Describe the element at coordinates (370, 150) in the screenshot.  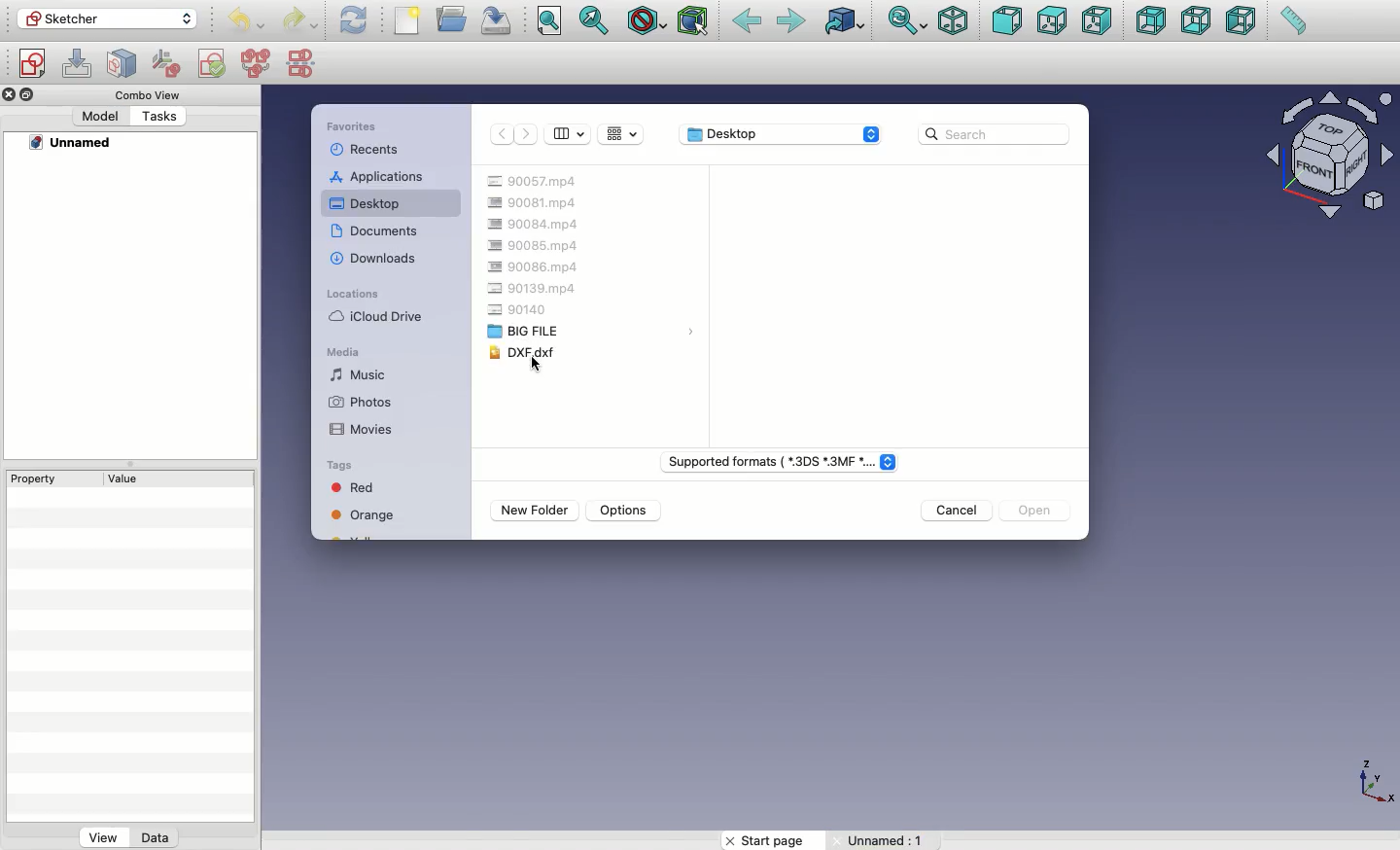
I see `Recents` at that location.